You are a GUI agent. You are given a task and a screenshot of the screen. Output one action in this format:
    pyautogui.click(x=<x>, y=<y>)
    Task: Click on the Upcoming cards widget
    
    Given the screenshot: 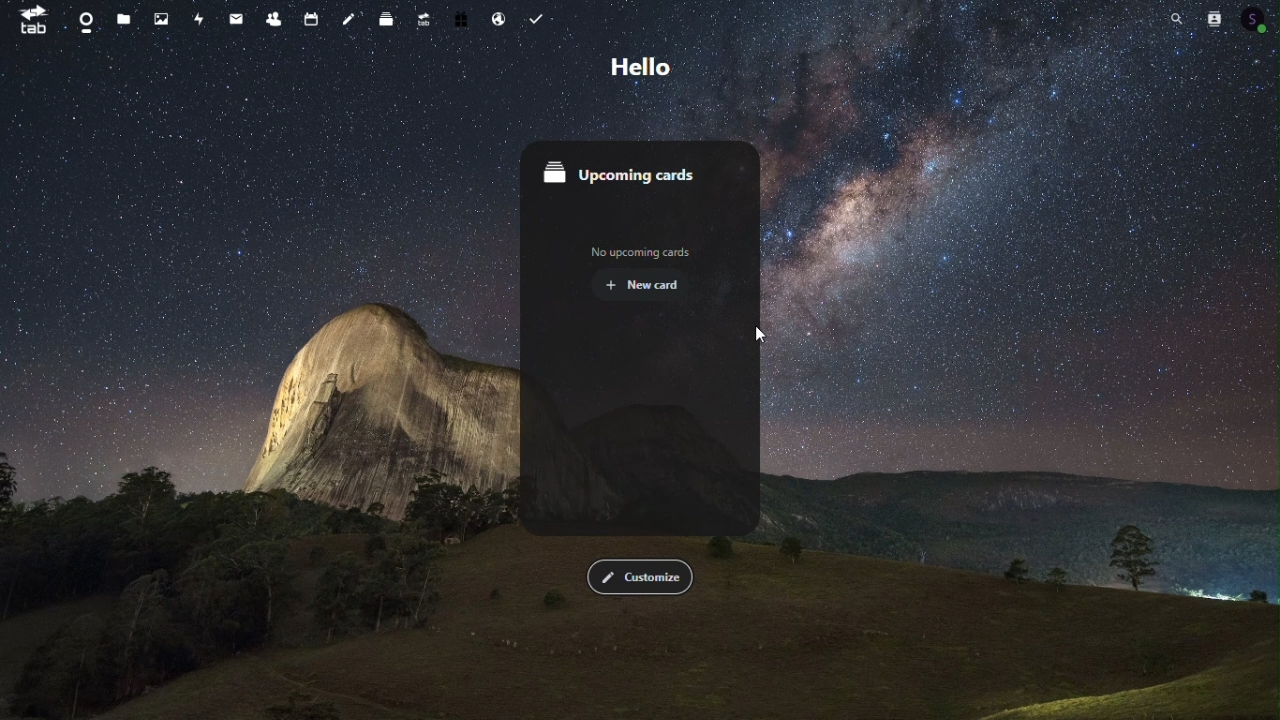 What is the action you would take?
    pyautogui.click(x=637, y=336)
    